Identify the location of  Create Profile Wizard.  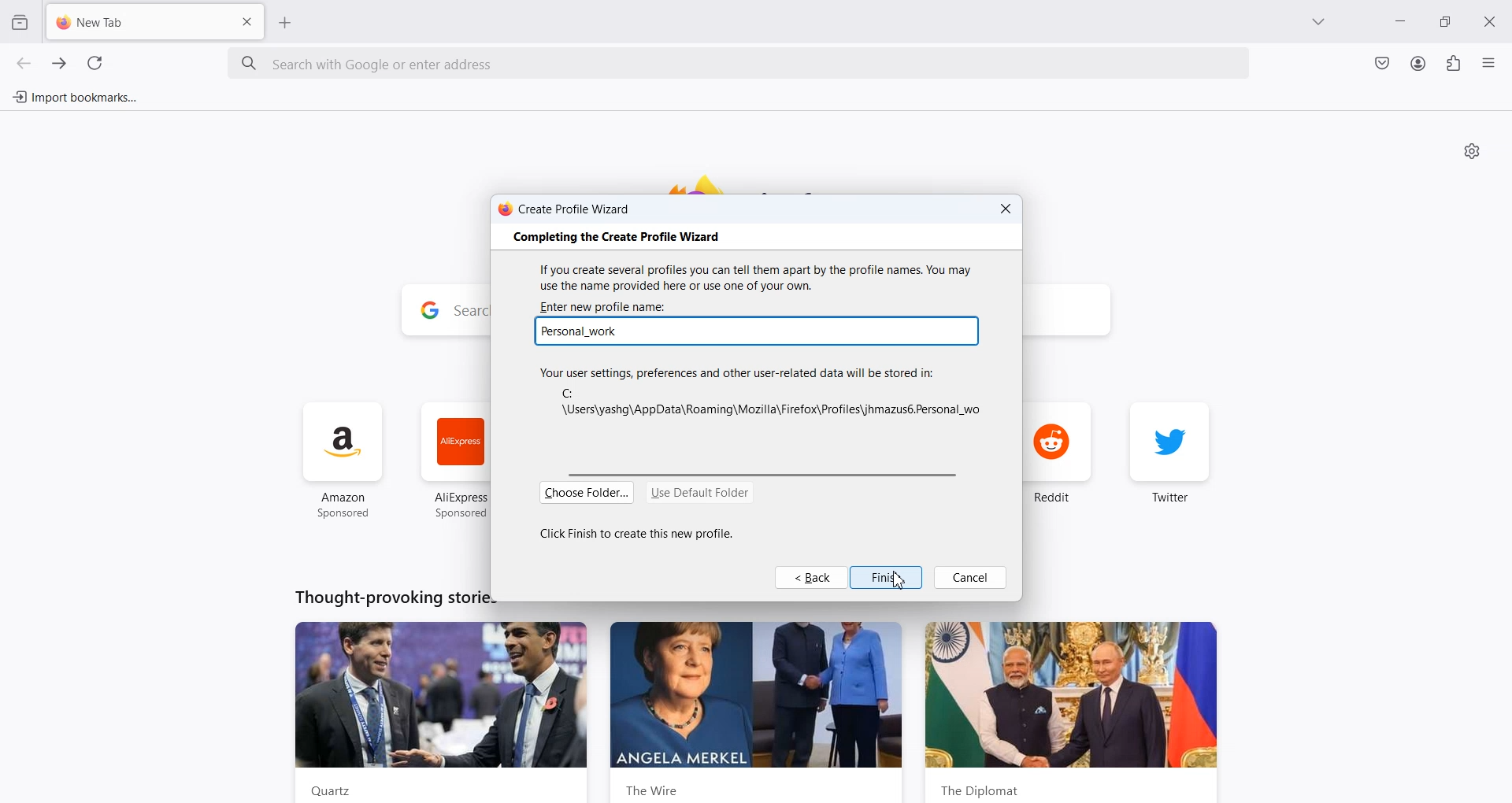
(567, 209).